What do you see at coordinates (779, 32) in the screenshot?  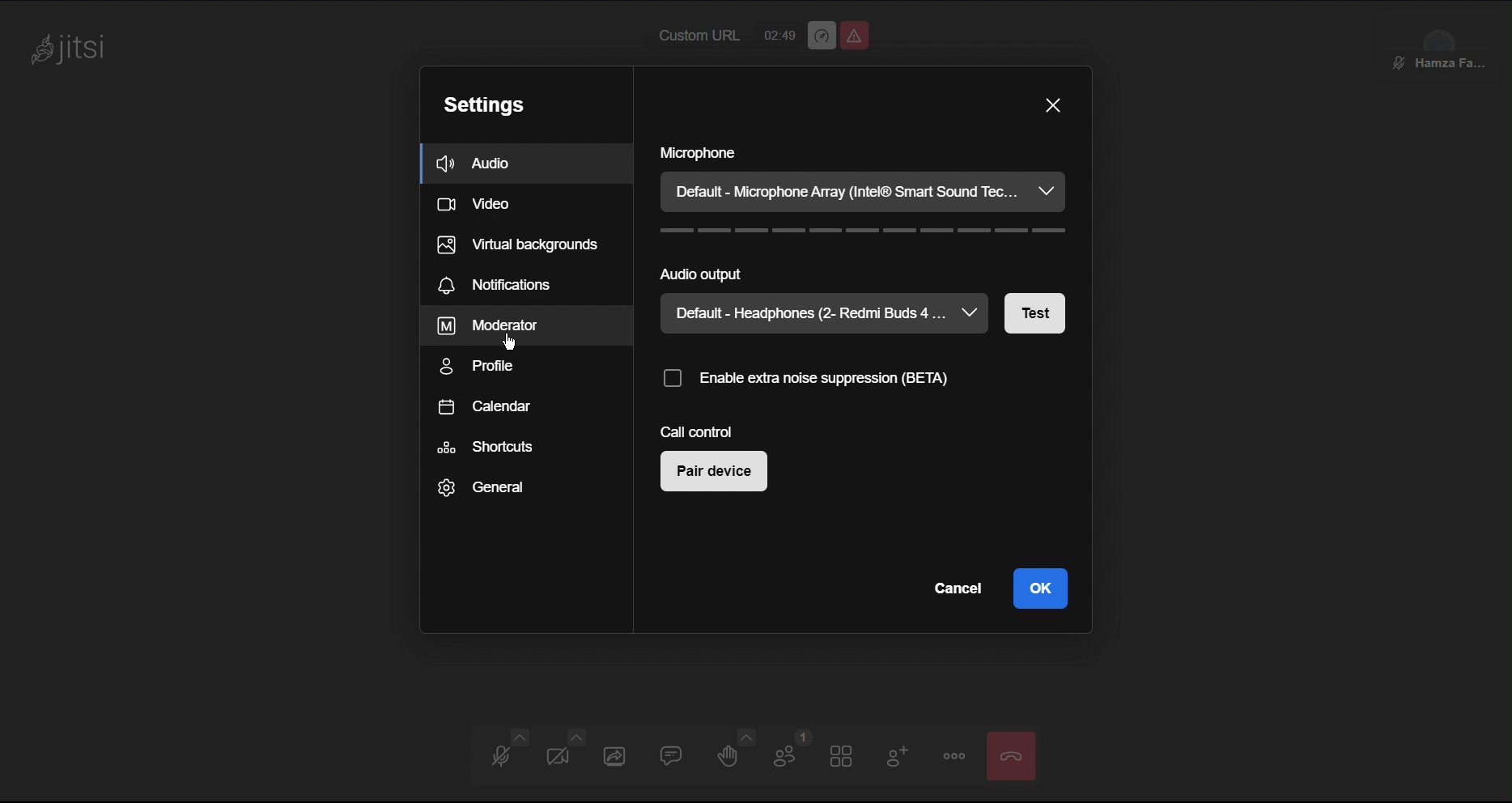 I see `02:48` at bounding box center [779, 32].